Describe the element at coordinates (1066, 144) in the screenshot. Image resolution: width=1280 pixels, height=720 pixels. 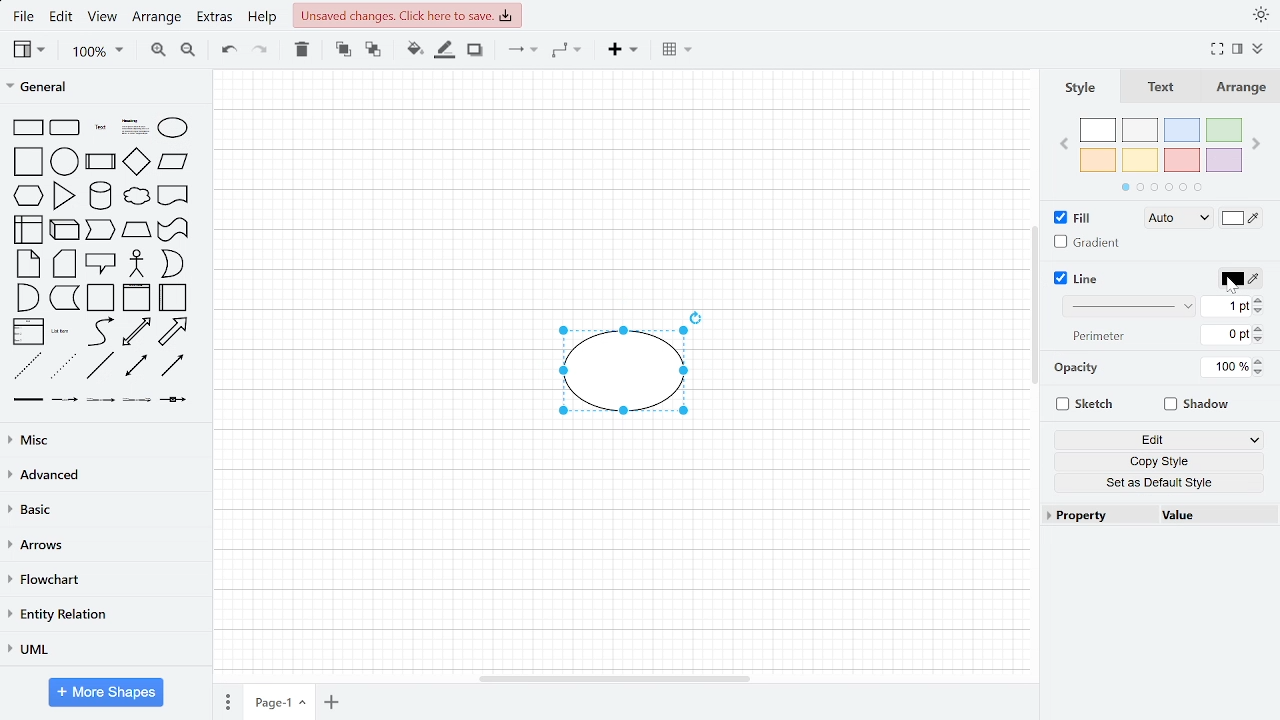
I see `Previous` at that location.